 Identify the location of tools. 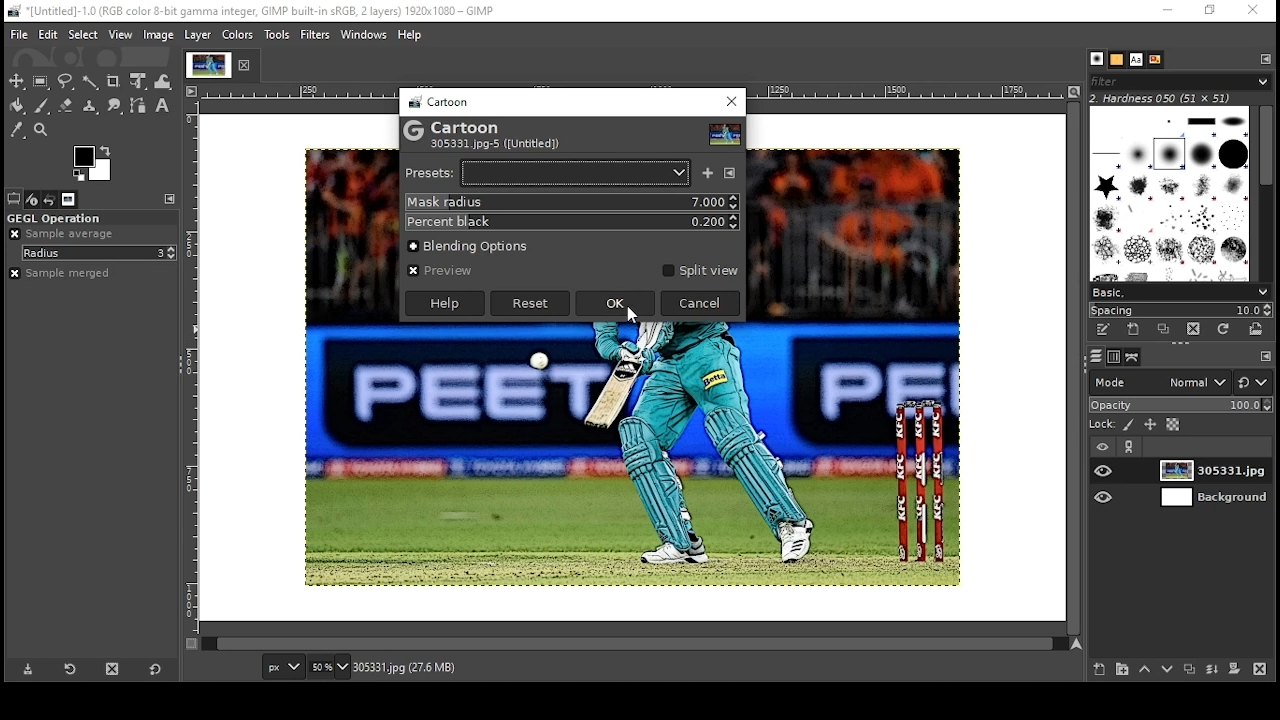
(277, 35).